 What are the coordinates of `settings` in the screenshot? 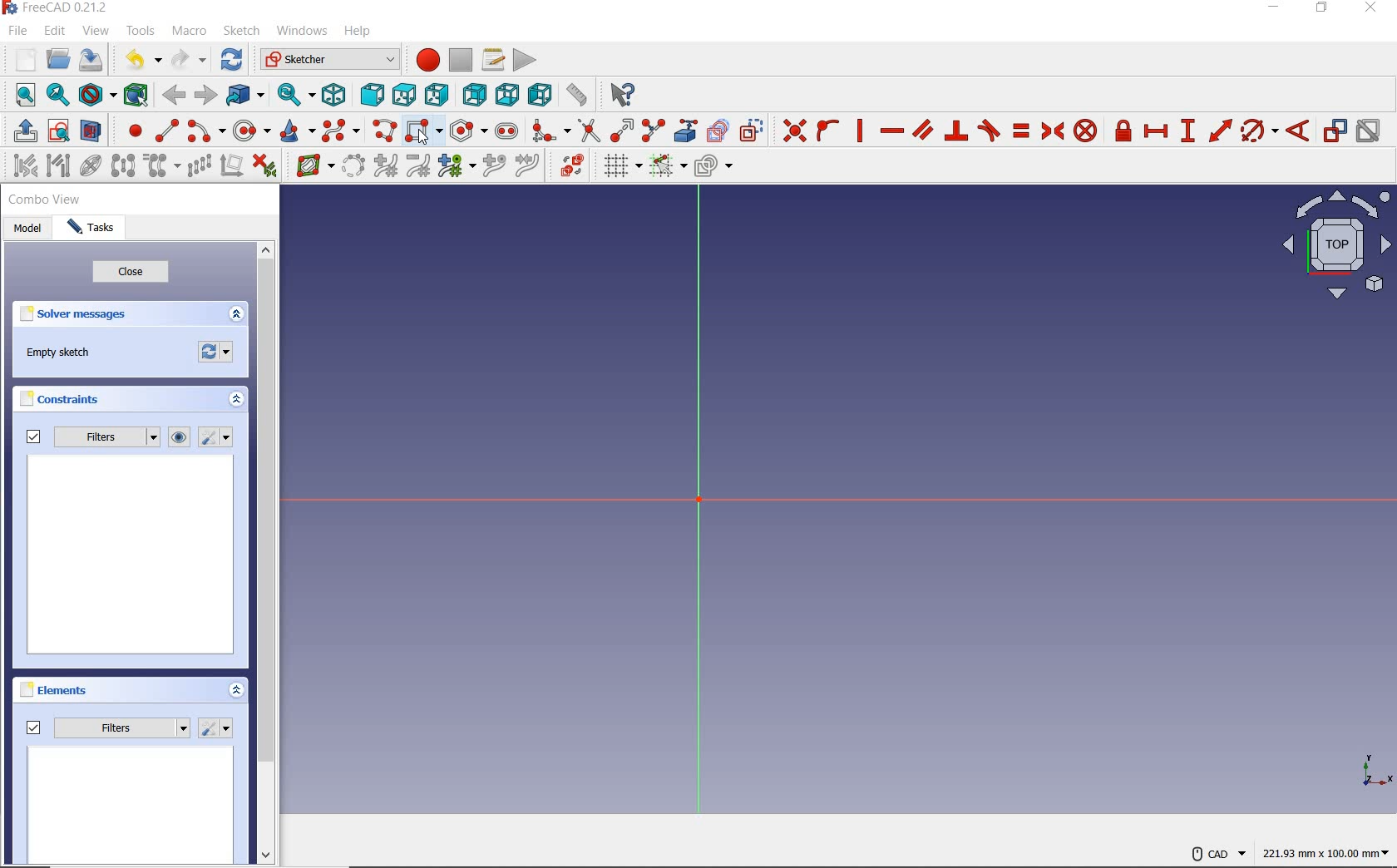 It's located at (219, 437).